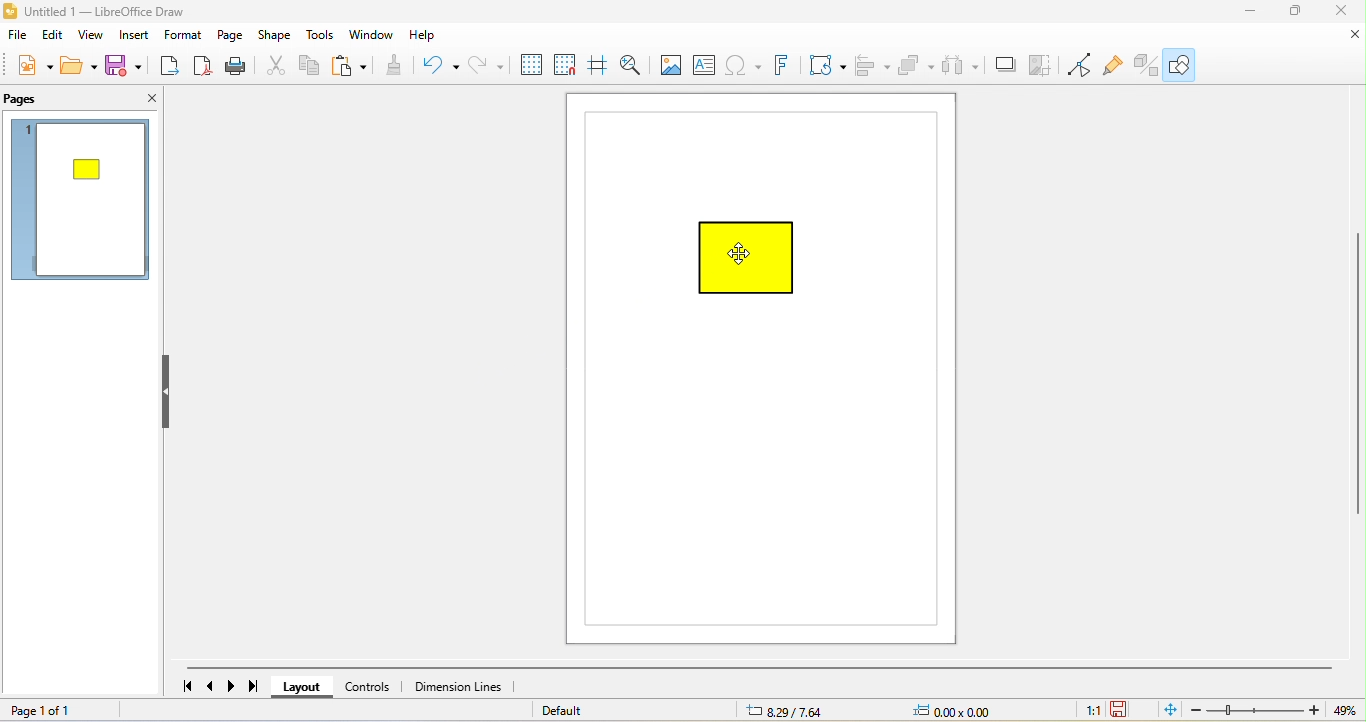 Image resolution: width=1366 pixels, height=722 pixels. What do you see at coordinates (1168, 710) in the screenshot?
I see `fit page to current window` at bounding box center [1168, 710].